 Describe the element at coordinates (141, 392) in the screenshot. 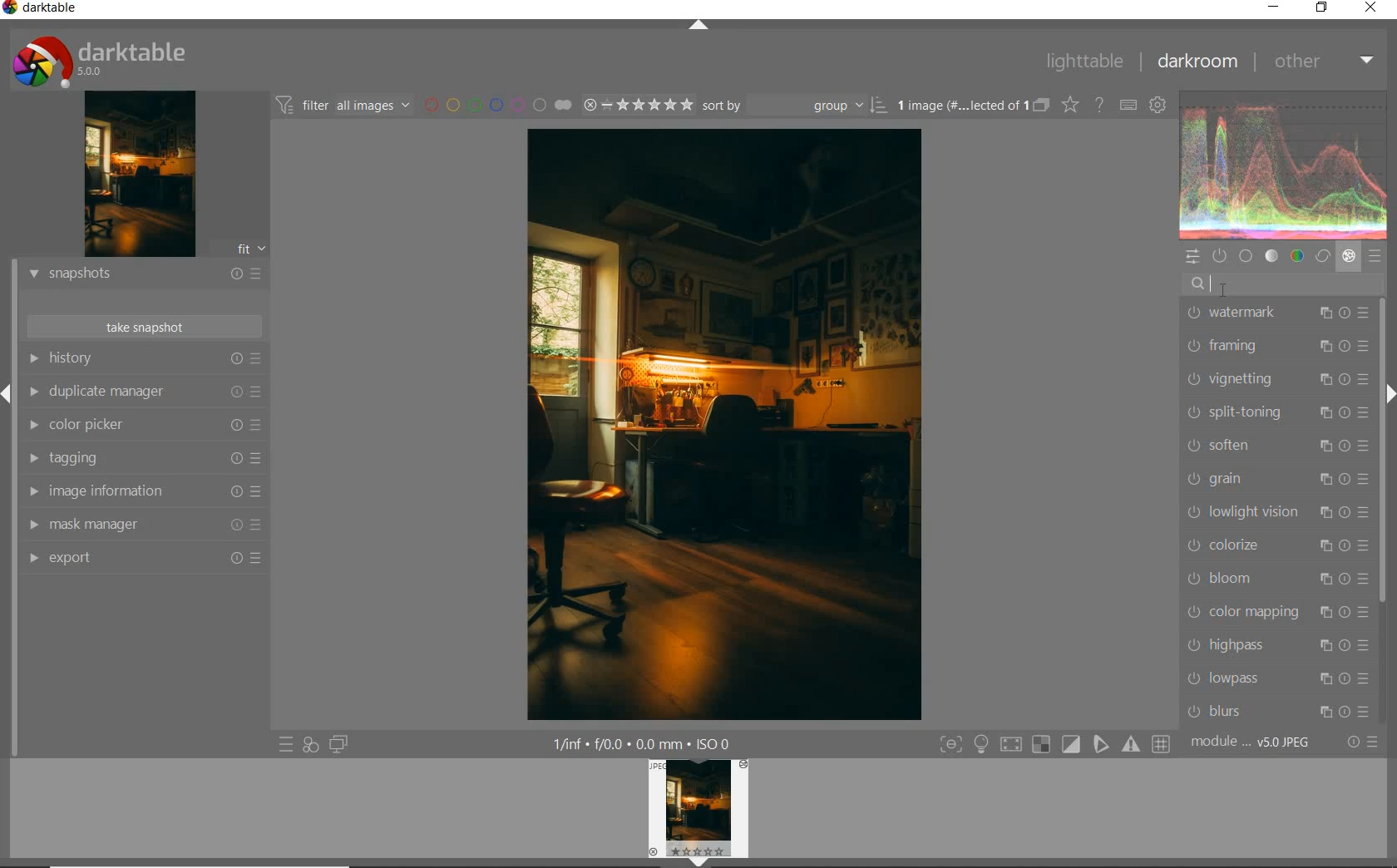

I see `duplicate manager` at that location.